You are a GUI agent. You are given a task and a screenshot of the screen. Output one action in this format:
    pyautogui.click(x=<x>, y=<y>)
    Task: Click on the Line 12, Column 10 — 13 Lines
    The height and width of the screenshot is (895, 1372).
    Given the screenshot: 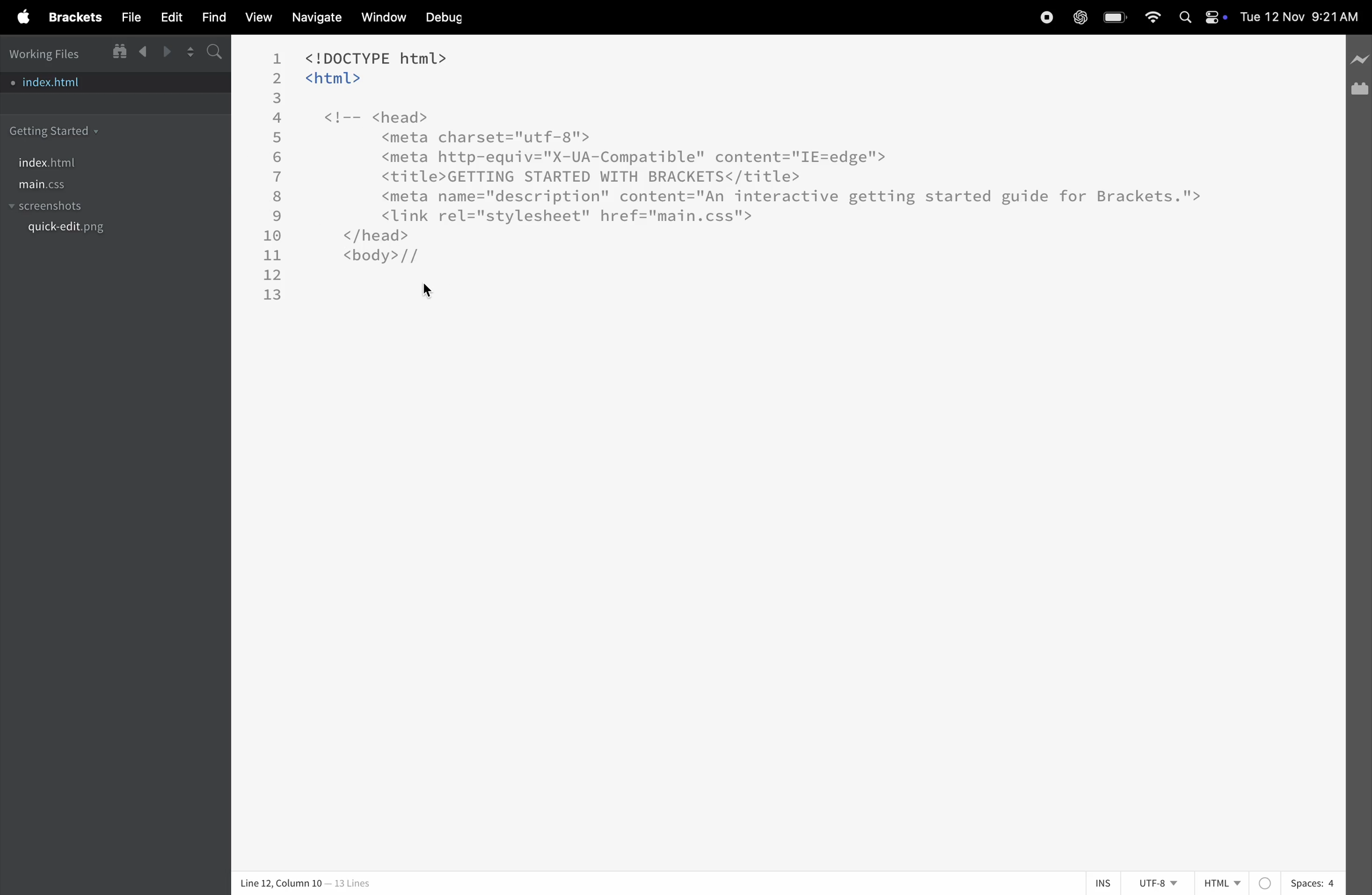 What is the action you would take?
    pyautogui.click(x=306, y=883)
    